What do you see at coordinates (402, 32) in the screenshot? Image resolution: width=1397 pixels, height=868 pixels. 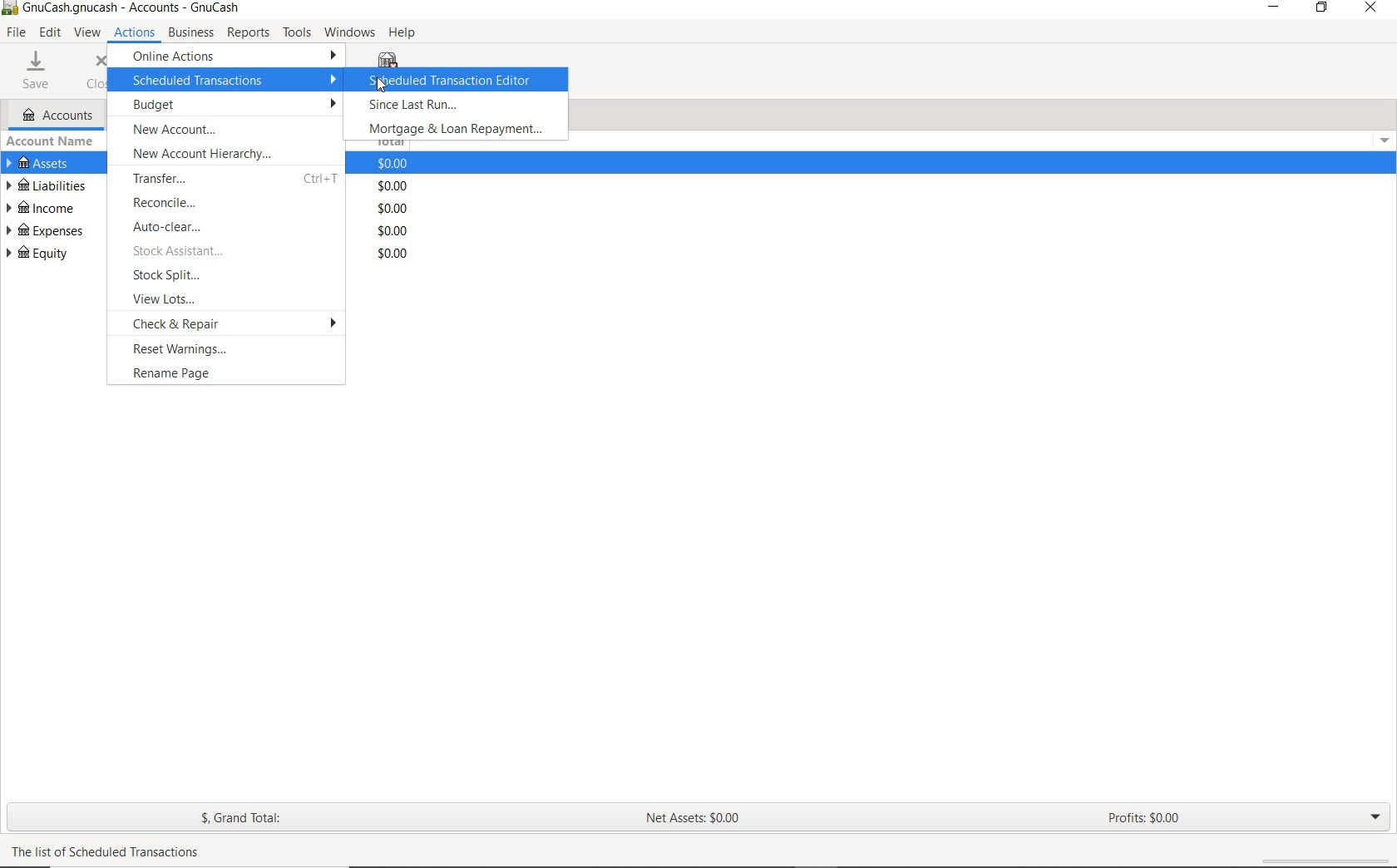 I see `HELP` at bounding box center [402, 32].